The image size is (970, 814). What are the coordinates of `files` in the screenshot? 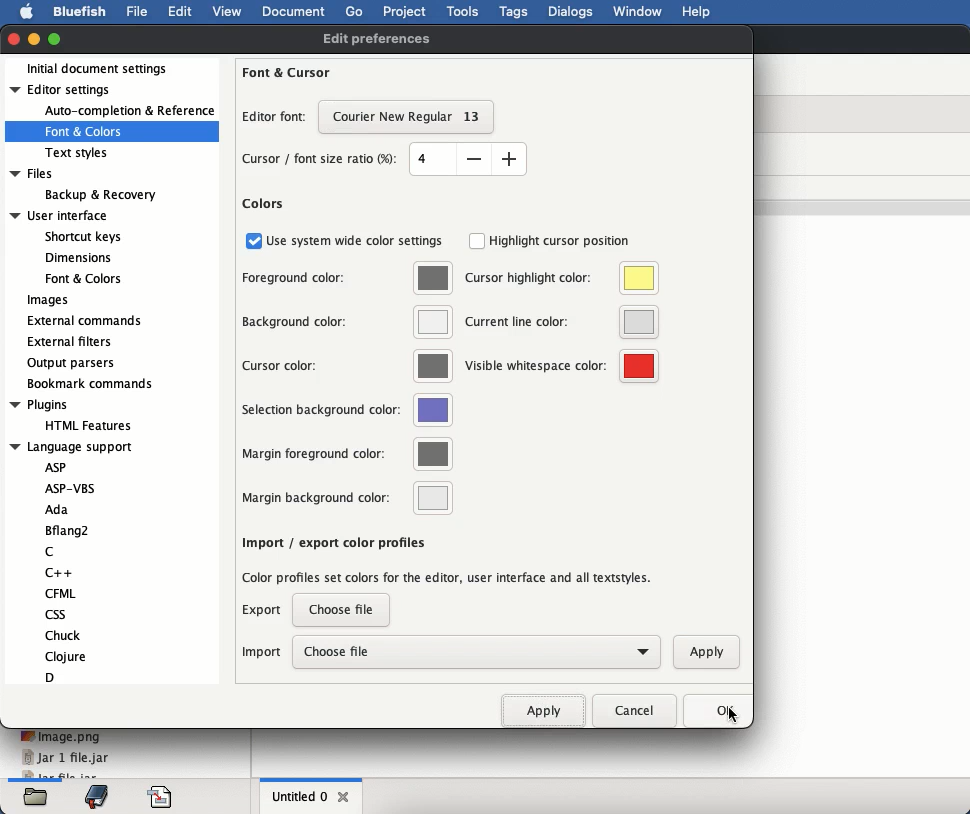 It's located at (36, 797).